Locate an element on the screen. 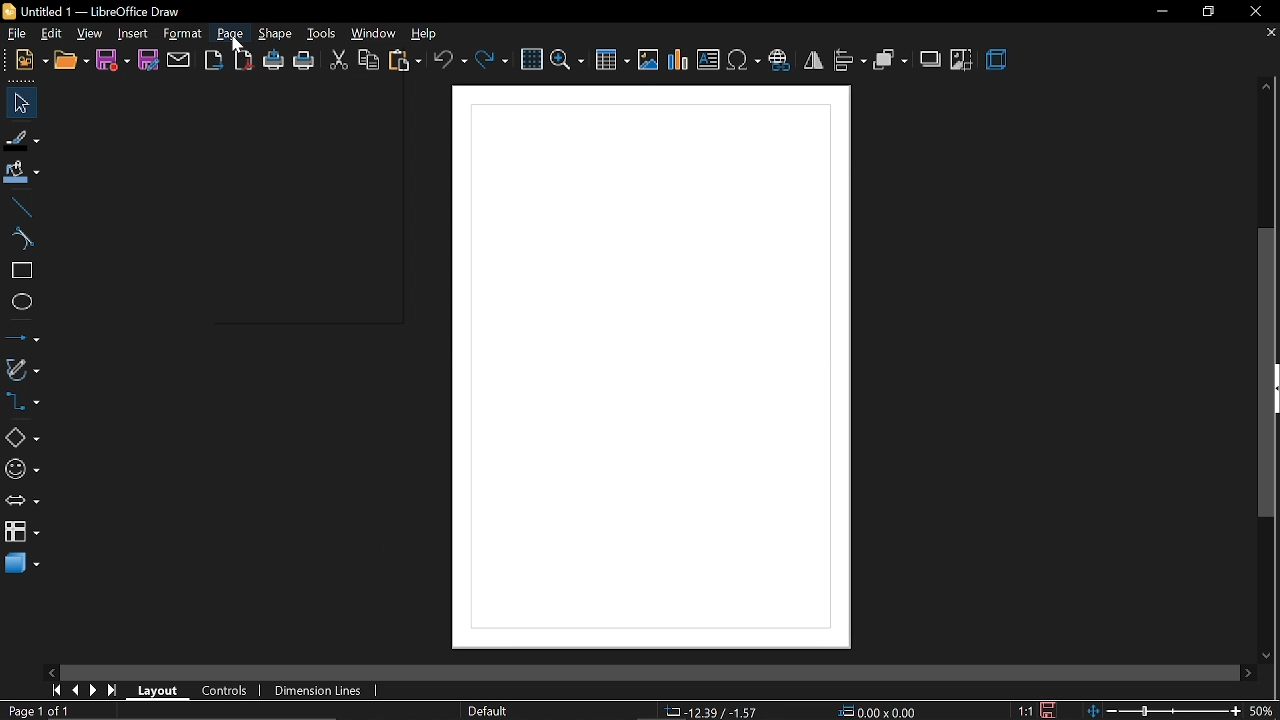 The image size is (1280, 720). Page 1 of 1 - current page is located at coordinates (40, 711).